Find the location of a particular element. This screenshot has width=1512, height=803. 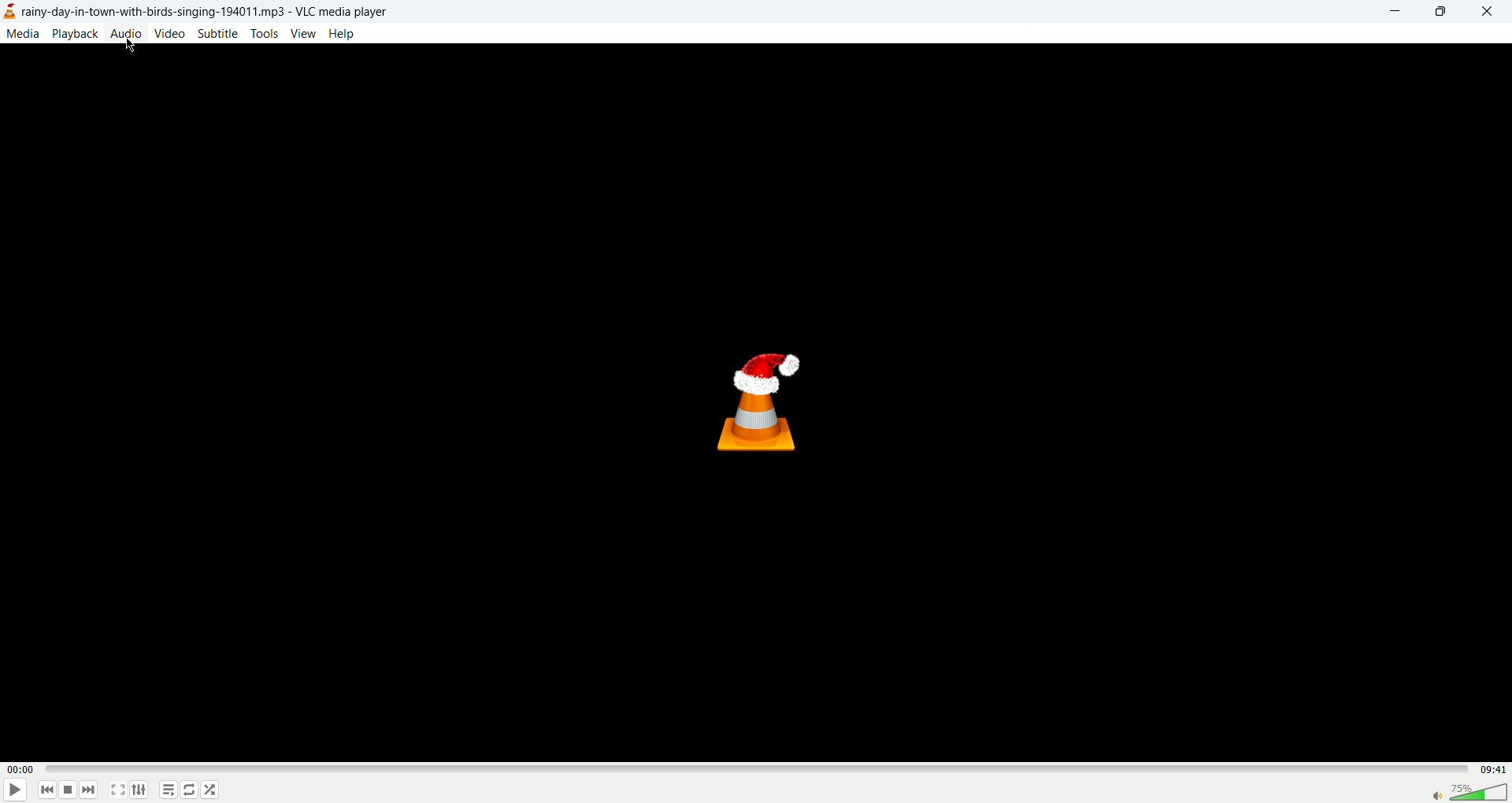

media is located at coordinates (23, 35).